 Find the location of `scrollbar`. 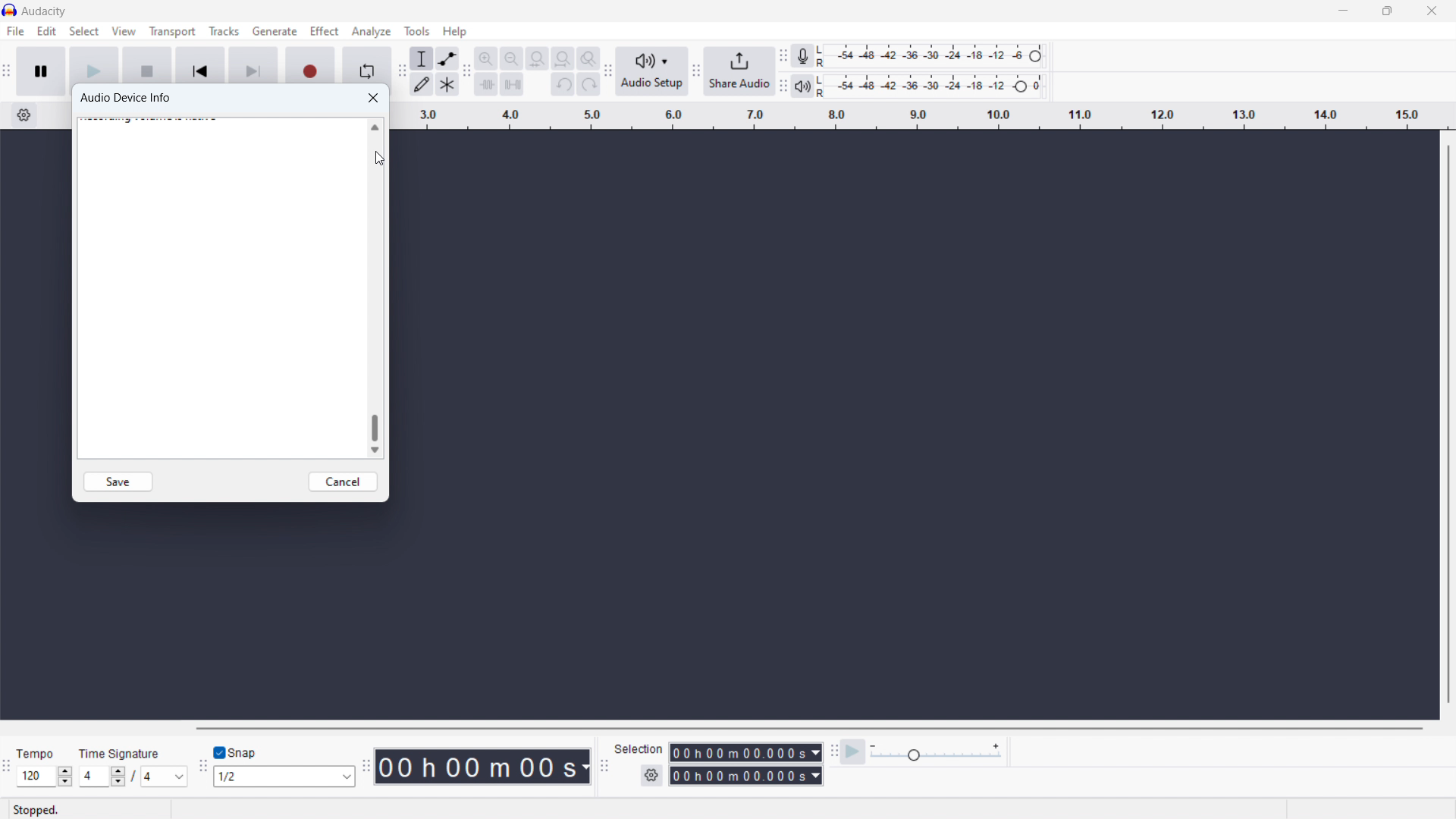

scrollbar is located at coordinates (375, 428).